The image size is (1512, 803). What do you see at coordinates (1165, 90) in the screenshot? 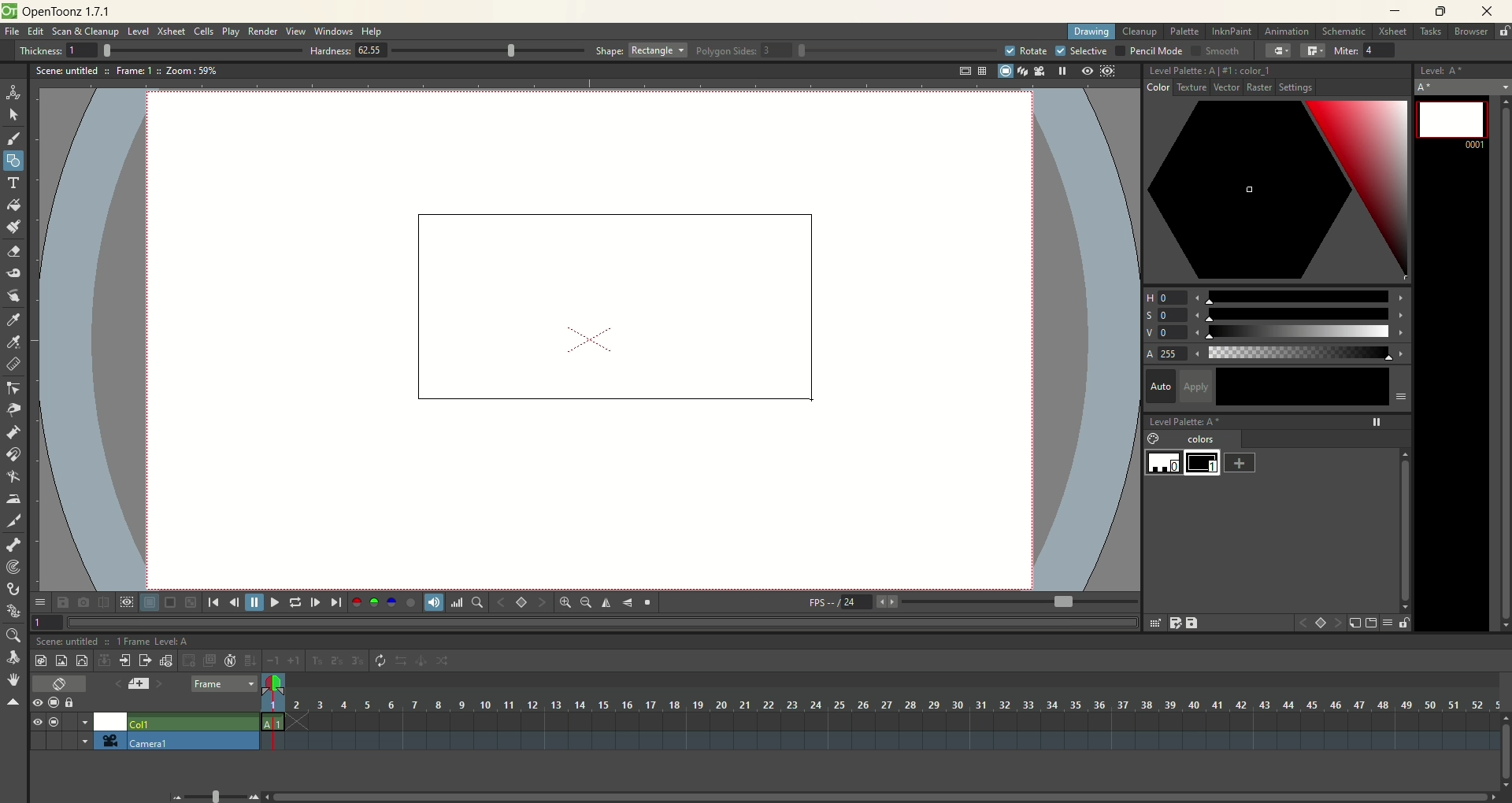
I see `color` at bounding box center [1165, 90].